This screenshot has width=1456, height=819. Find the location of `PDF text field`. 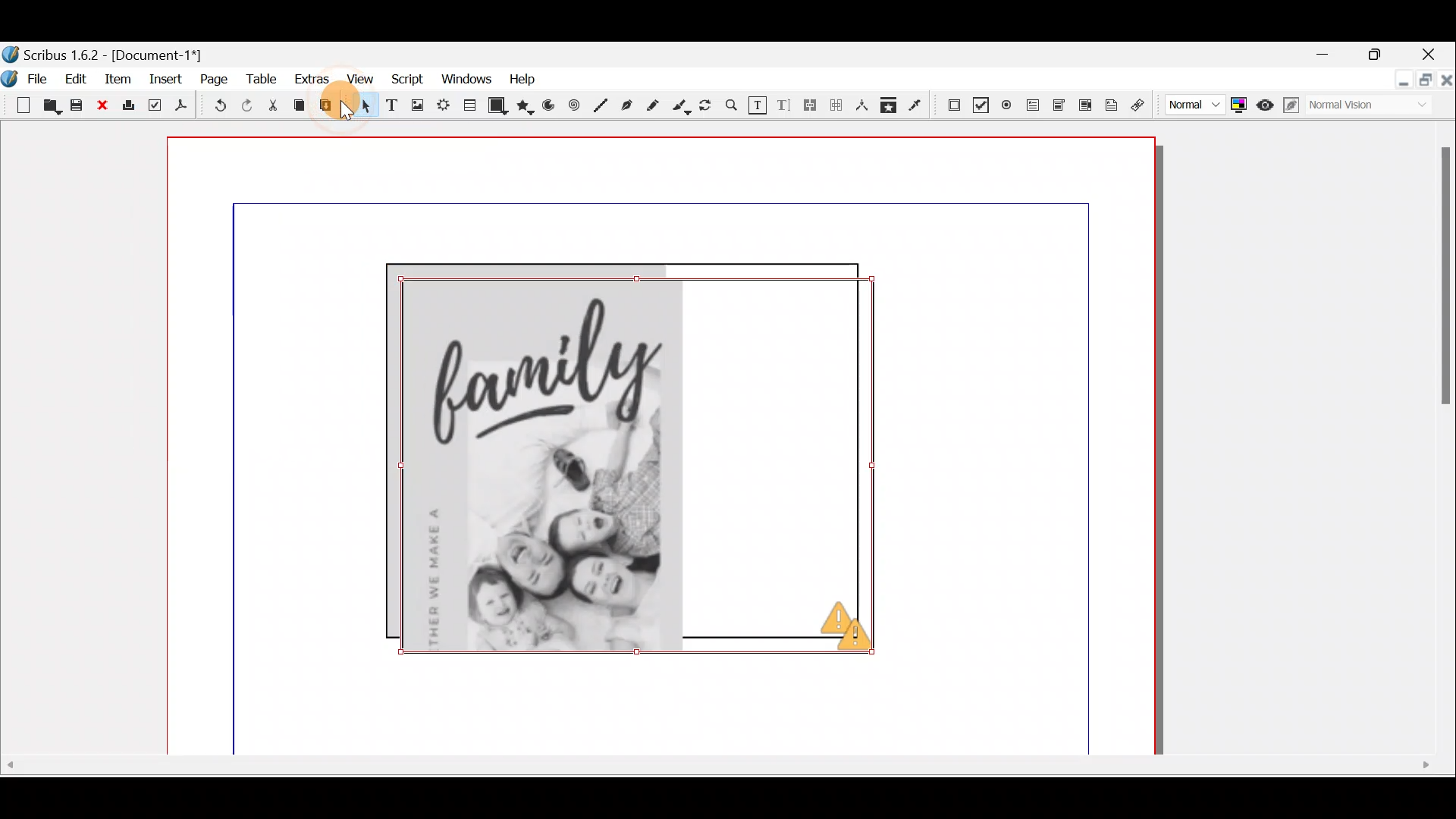

PDF text field is located at coordinates (1031, 105).